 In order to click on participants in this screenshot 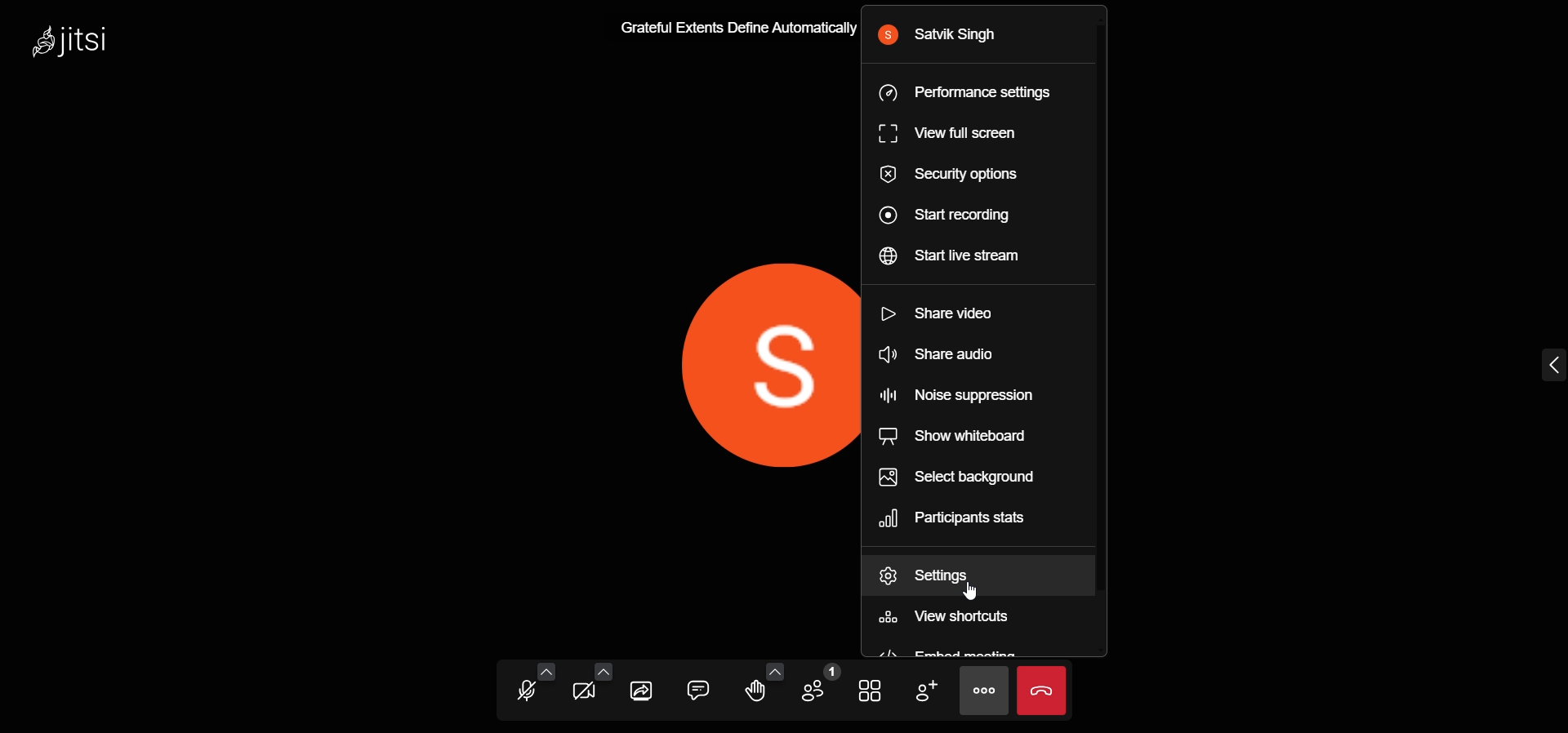, I will do `click(818, 682)`.